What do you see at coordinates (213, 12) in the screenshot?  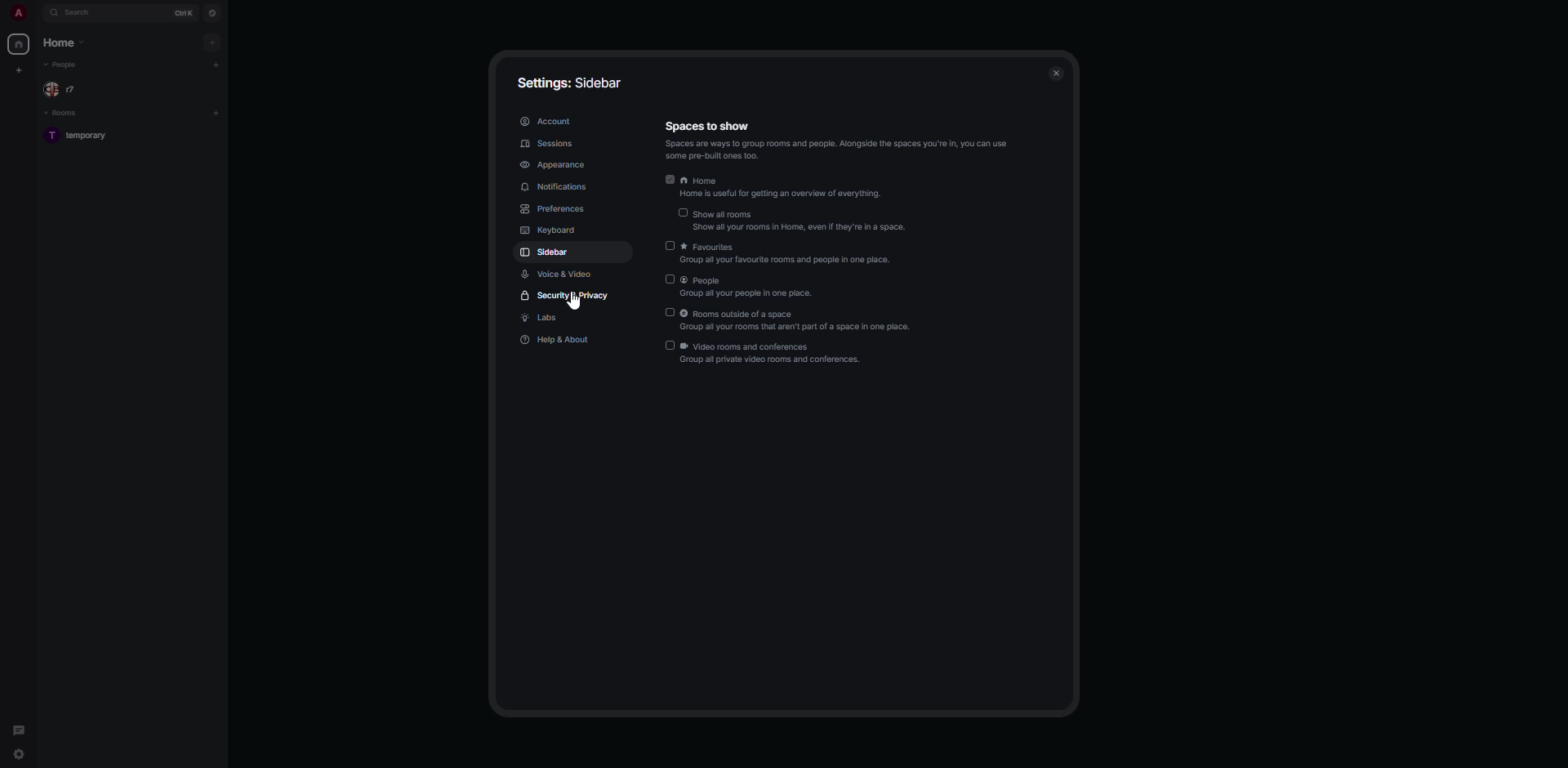 I see `navigator` at bounding box center [213, 12].